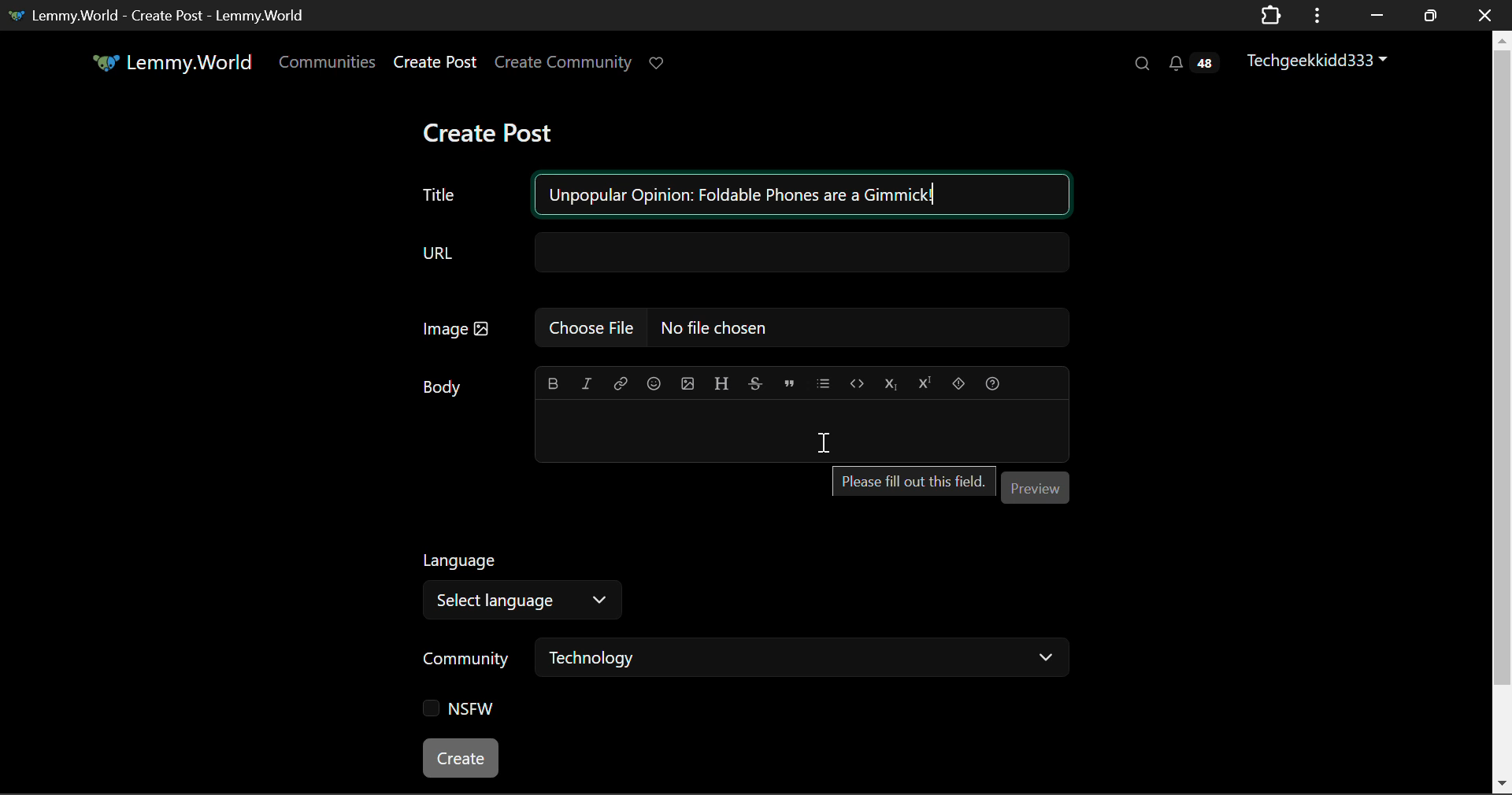 Image resolution: width=1512 pixels, height=795 pixels. Describe the element at coordinates (1374, 15) in the screenshot. I see `Restore Down` at that location.